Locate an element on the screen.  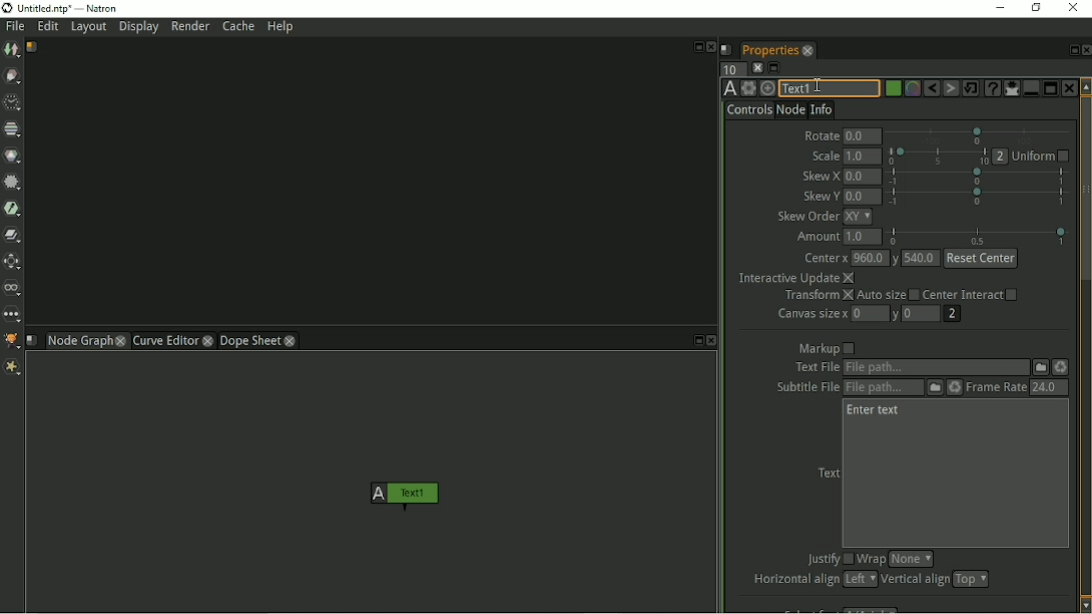
TextOFX Version 6.13 is located at coordinates (730, 88).